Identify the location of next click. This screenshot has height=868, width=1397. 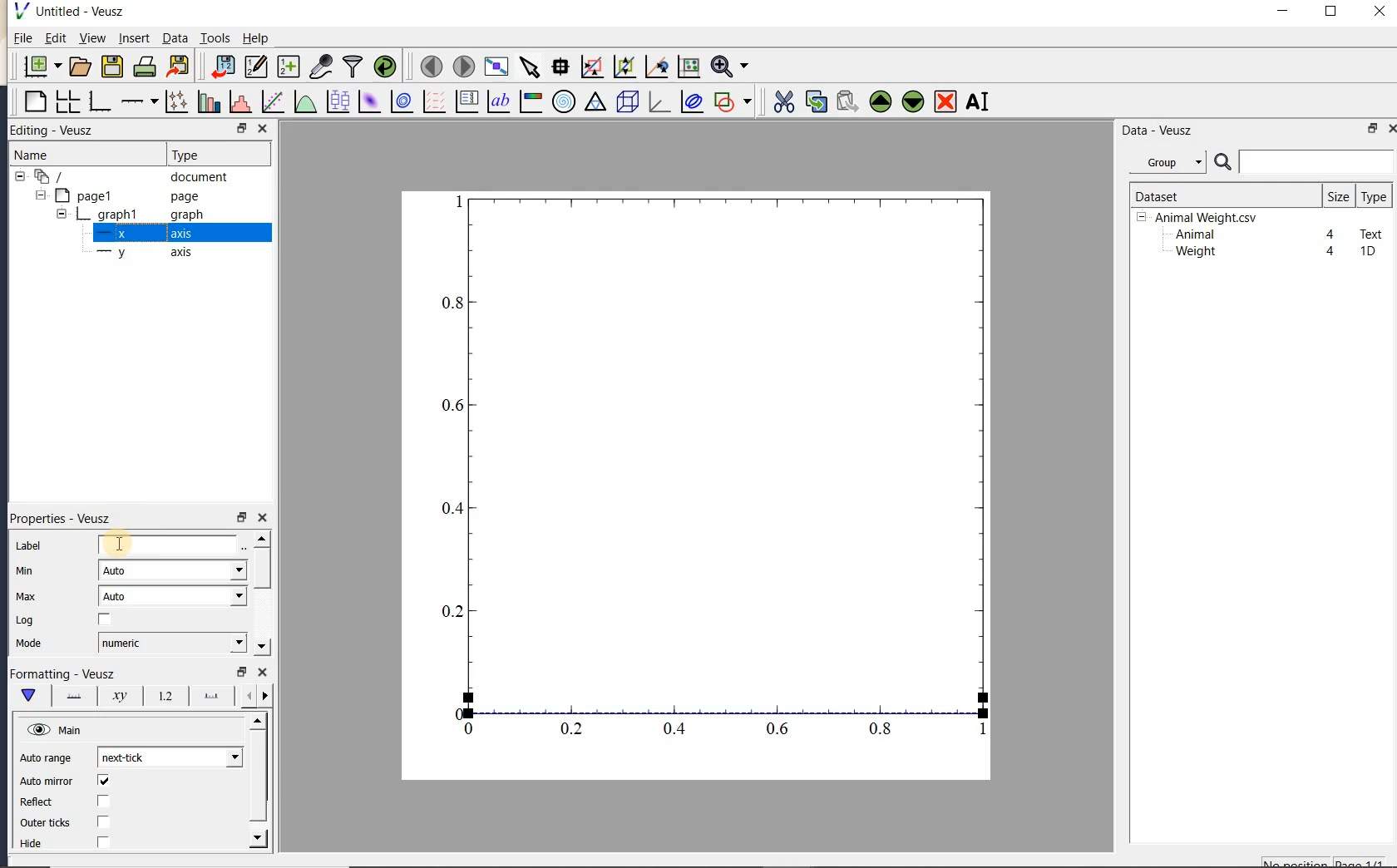
(170, 757).